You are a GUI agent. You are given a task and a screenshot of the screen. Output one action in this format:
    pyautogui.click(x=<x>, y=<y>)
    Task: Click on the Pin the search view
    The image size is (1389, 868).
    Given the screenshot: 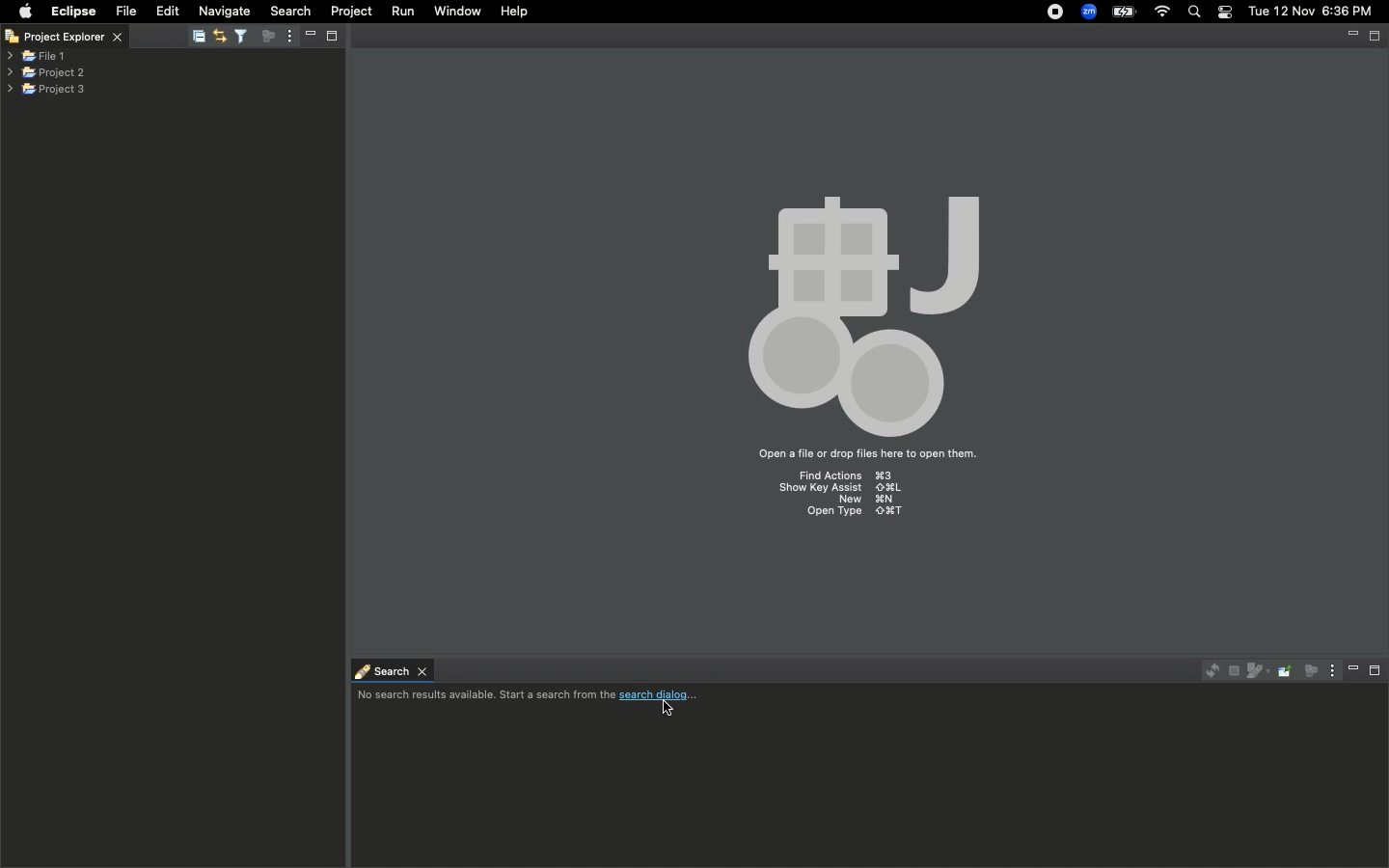 What is the action you would take?
    pyautogui.click(x=1283, y=670)
    